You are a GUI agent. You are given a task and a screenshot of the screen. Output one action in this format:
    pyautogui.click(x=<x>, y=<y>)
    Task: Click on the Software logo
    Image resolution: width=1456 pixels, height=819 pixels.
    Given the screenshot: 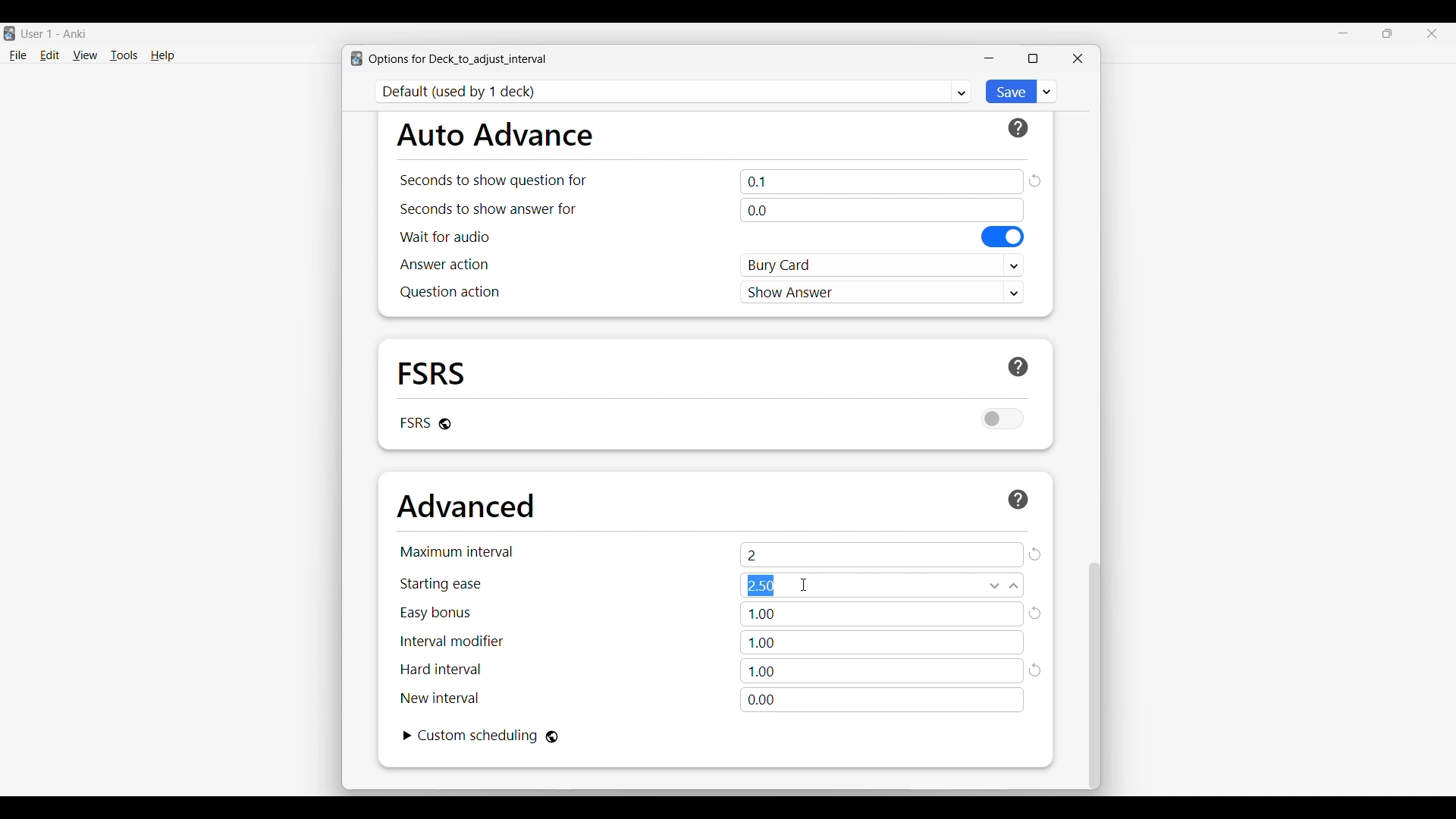 What is the action you would take?
    pyautogui.click(x=9, y=33)
    